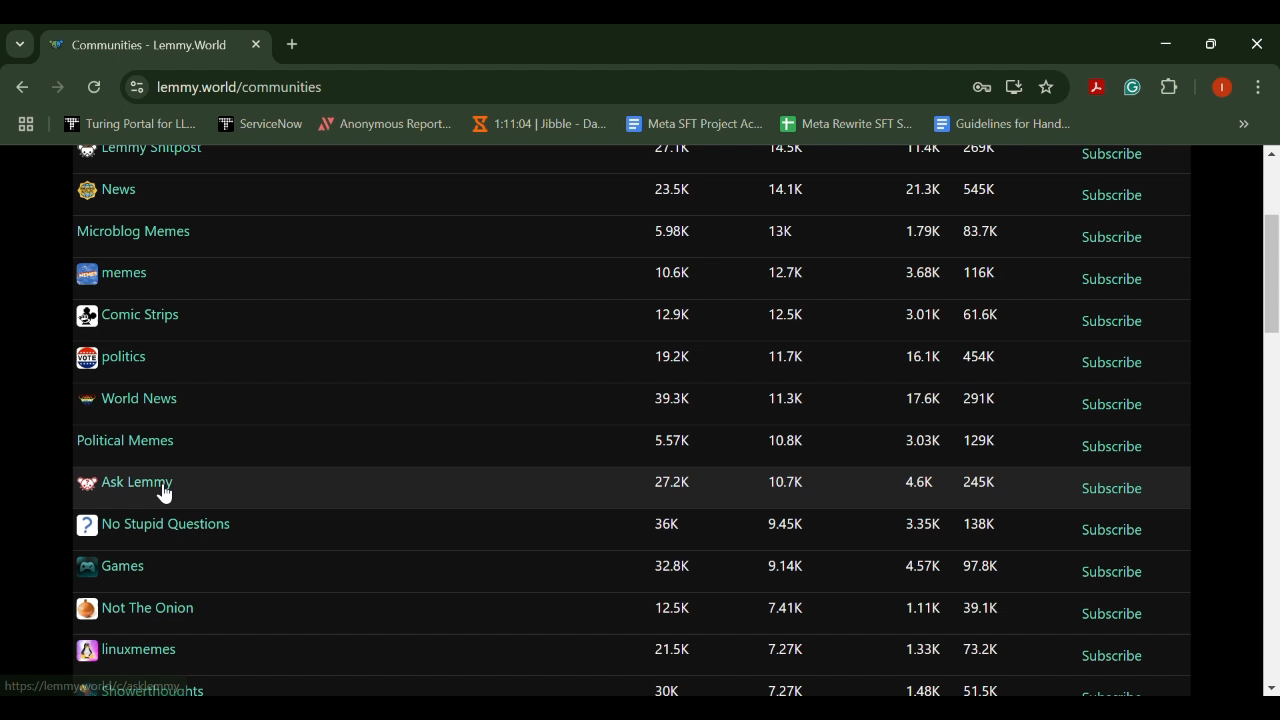  What do you see at coordinates (1110, 530) in the screenshot?
I see `Subscribe` at bounding box center [1110, 530].